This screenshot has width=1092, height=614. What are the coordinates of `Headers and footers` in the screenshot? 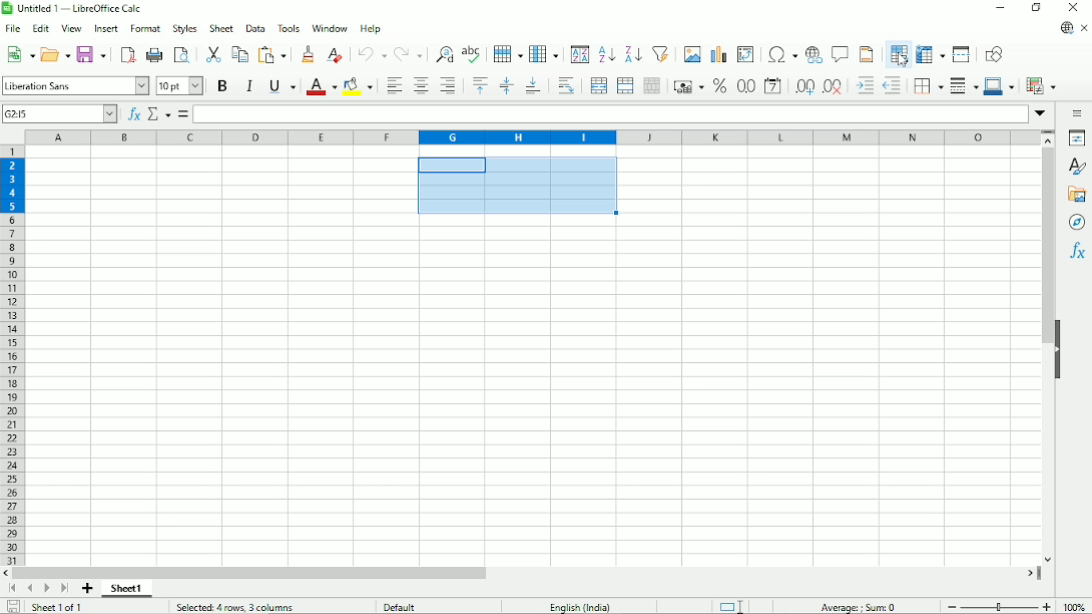 It's located at (866, 53).